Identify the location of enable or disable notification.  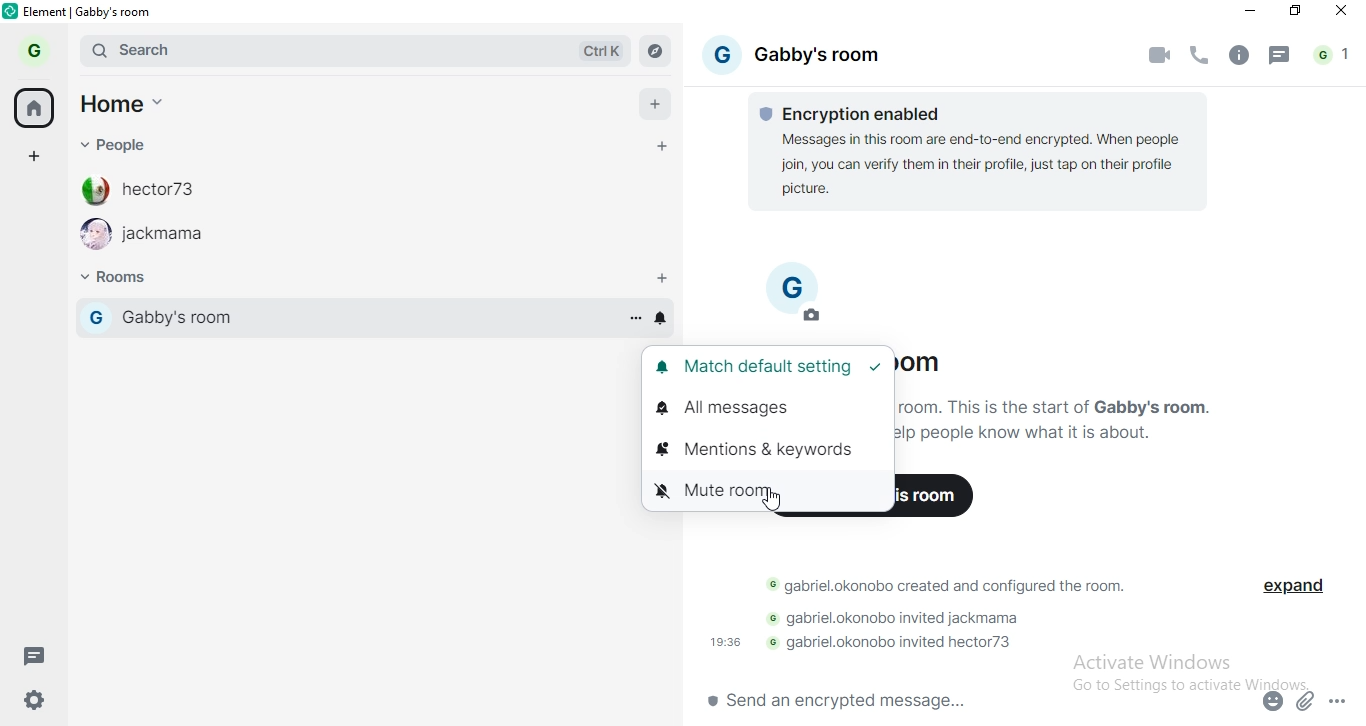
(662, 321).